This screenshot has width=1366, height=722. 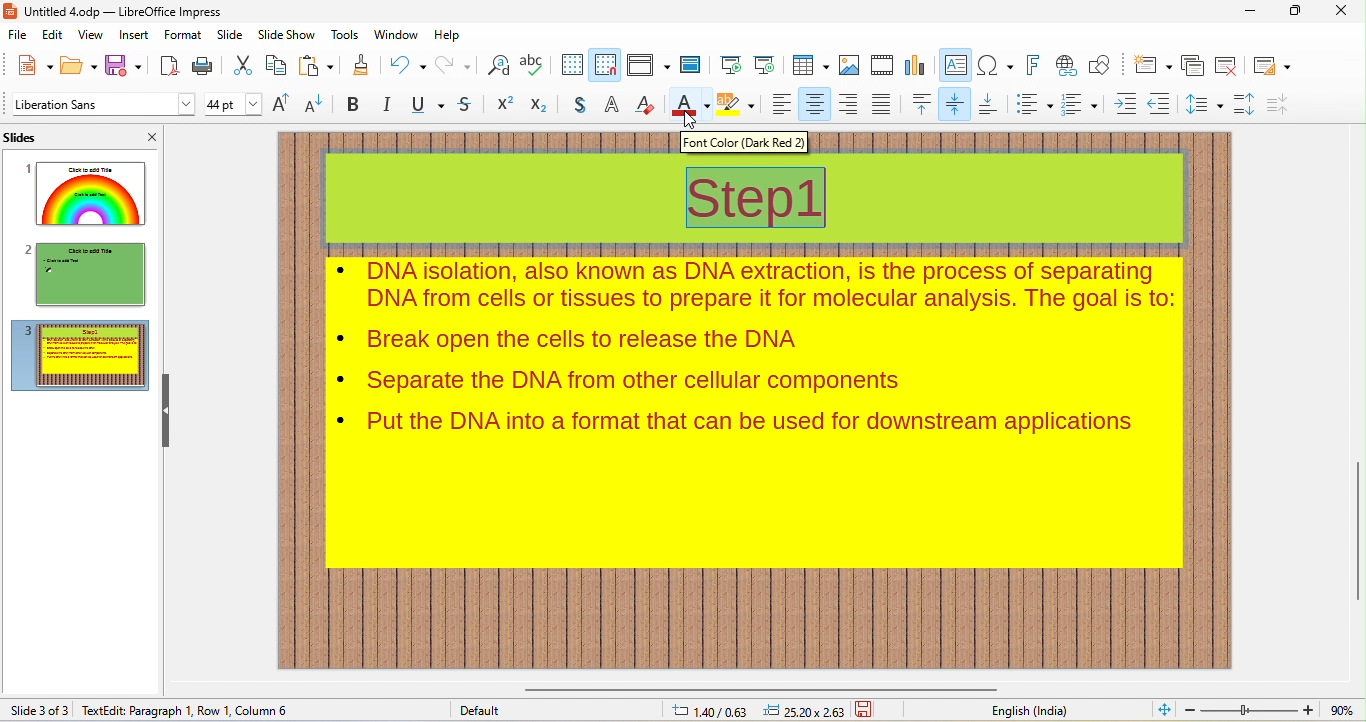 I want to click on undo, so click(x=405, y=65).